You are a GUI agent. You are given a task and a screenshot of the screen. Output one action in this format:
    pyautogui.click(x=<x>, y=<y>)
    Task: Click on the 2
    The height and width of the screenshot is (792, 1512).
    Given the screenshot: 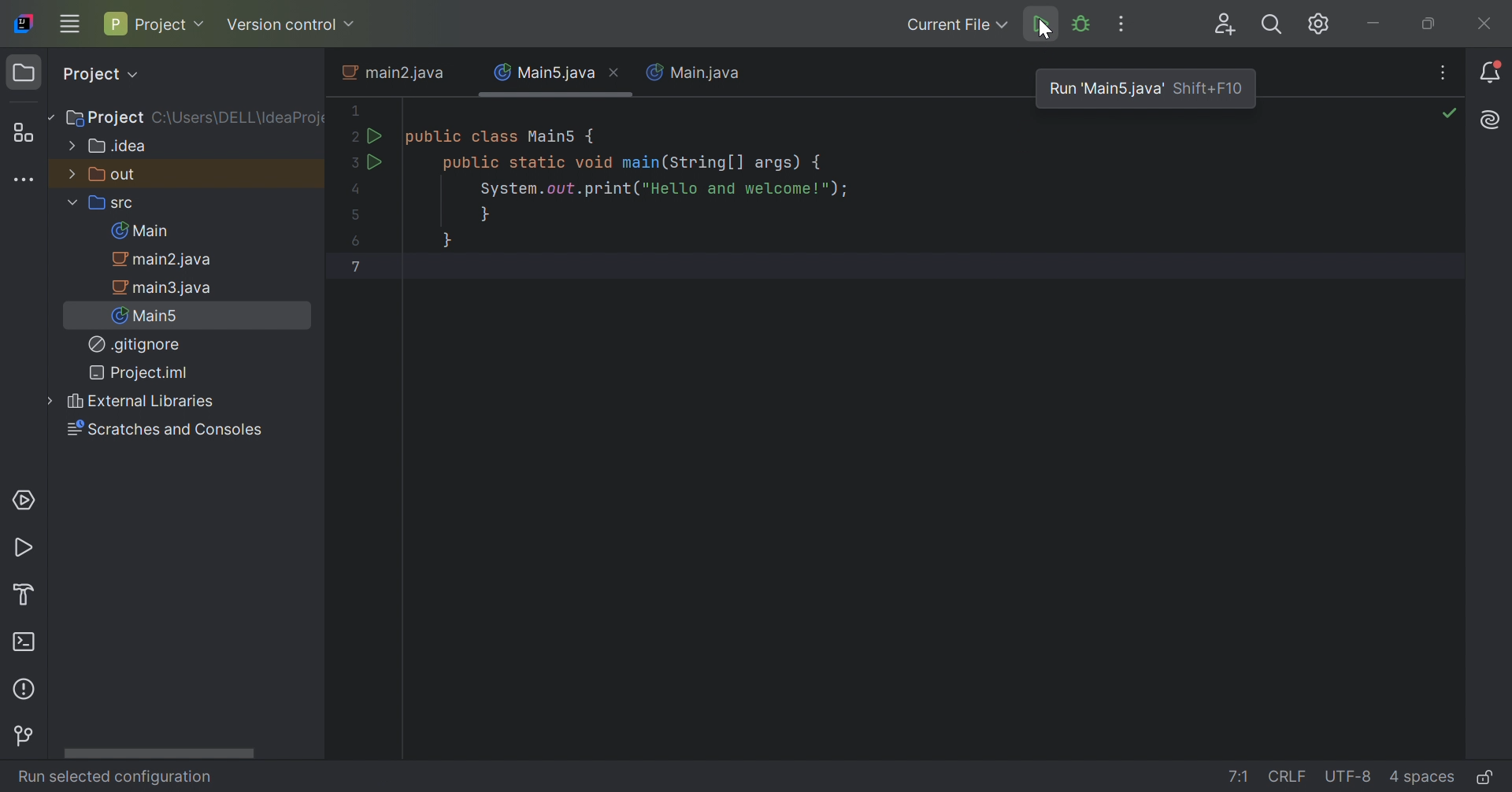 What is the action you would take?
    pyautogui.click(x=354, y=137)
    